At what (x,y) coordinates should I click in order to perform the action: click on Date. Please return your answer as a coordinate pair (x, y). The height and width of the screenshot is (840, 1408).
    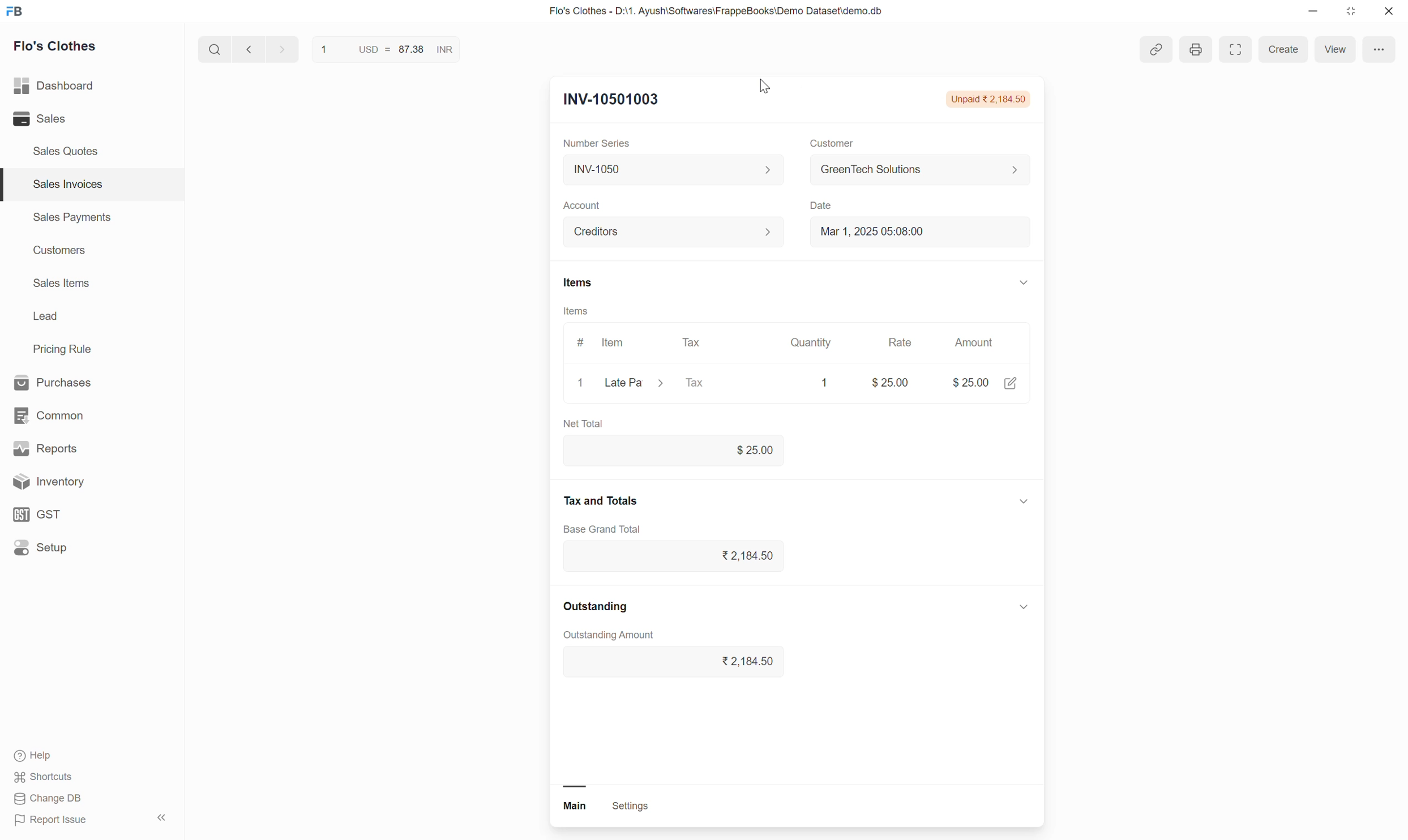
    Looking at the image, I should click on (820, 207).